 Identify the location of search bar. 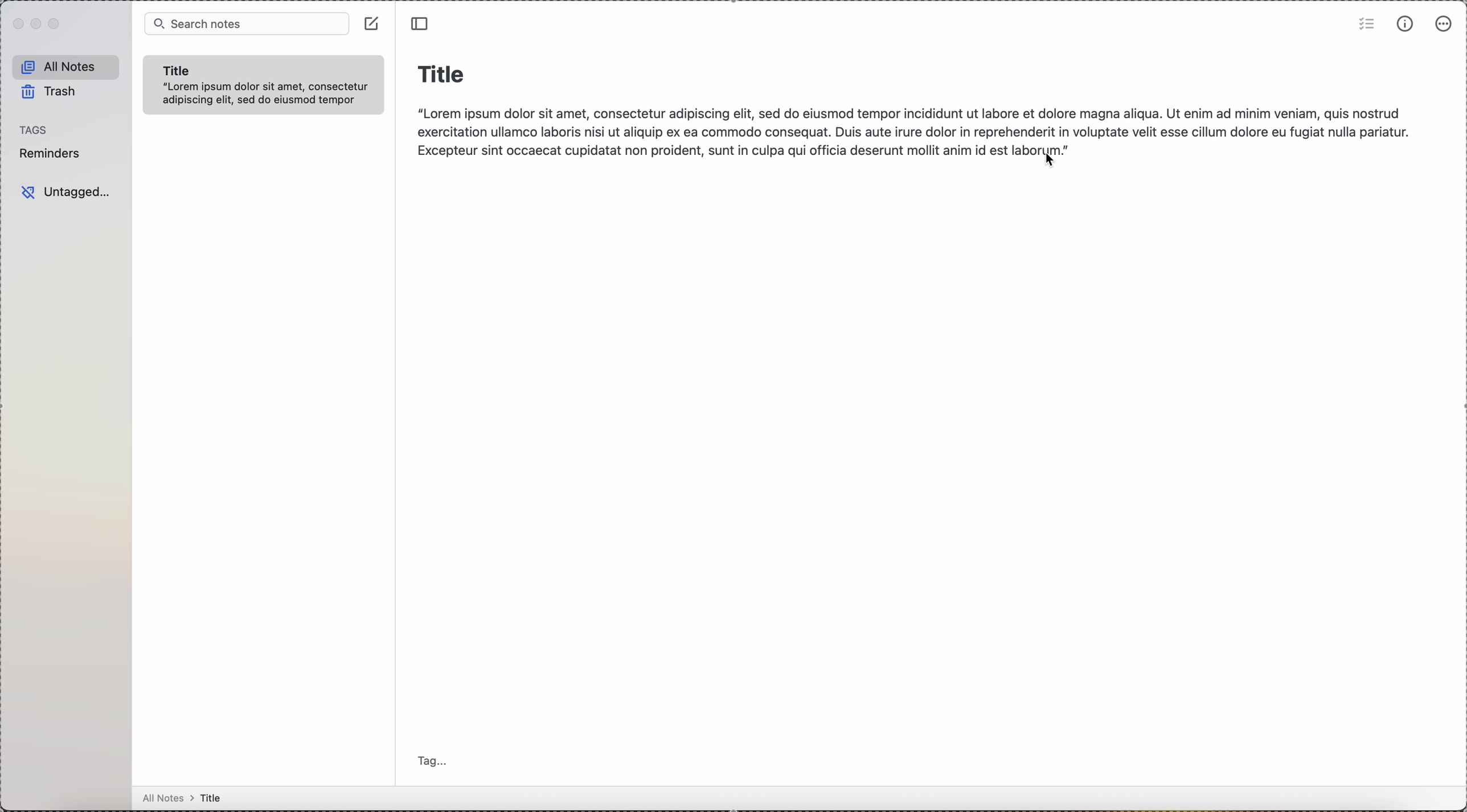
(243, 23).